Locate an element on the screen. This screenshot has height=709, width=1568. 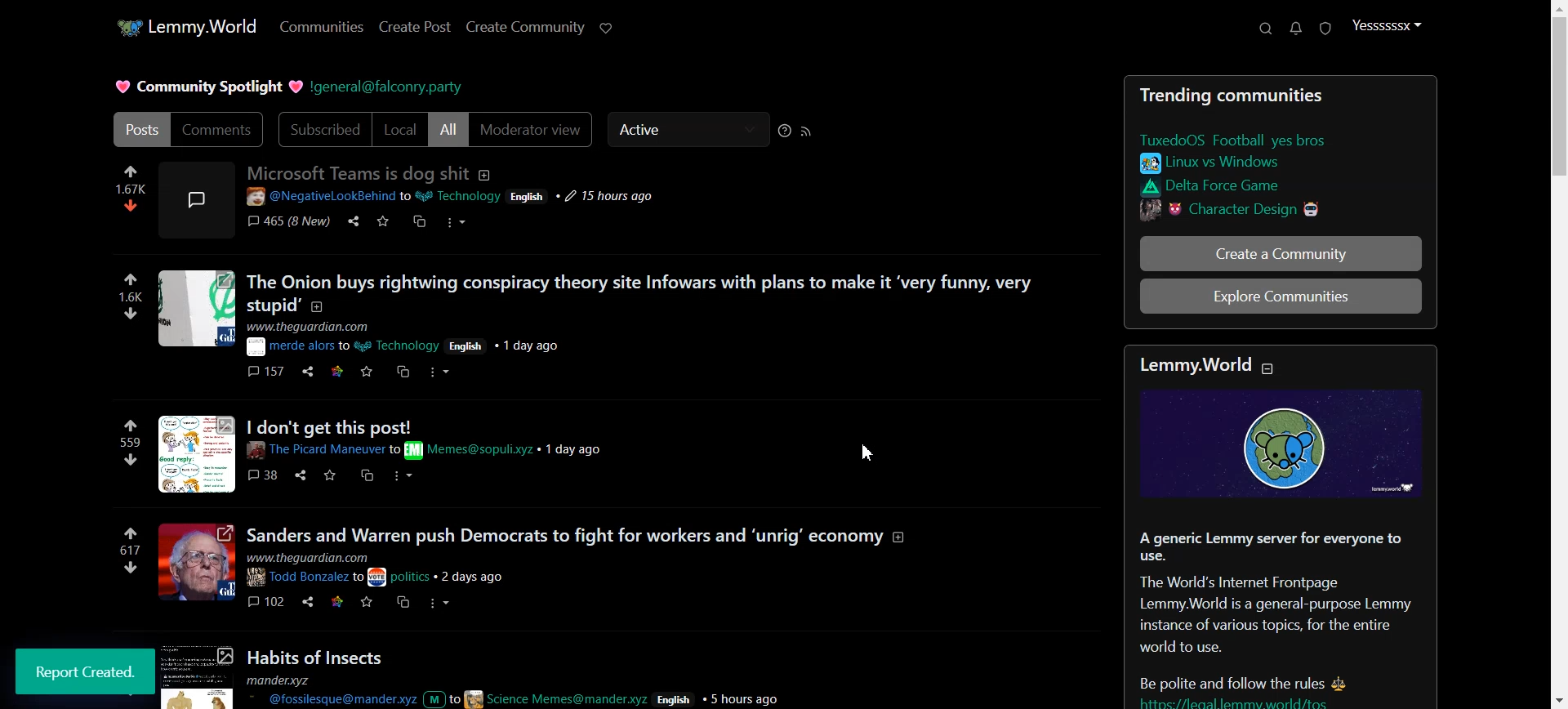
dislike is located at coordinates (132, 205).